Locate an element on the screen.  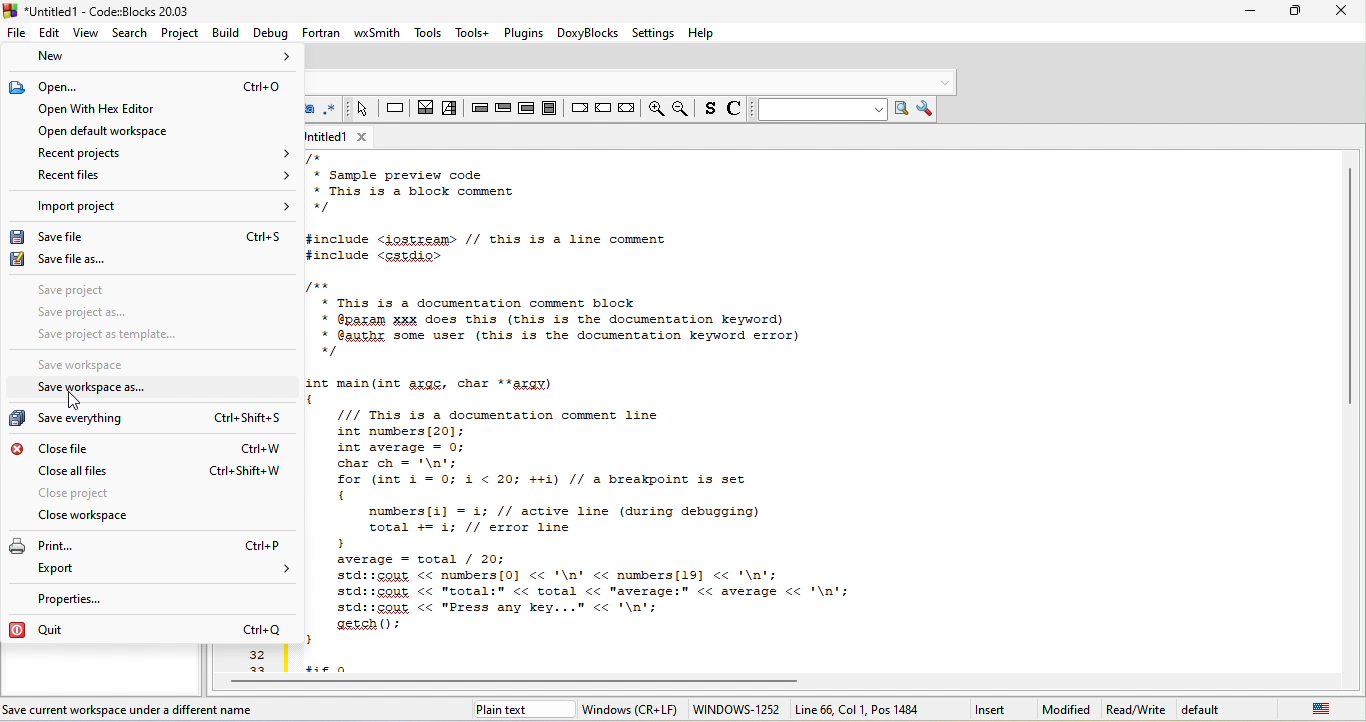
entry is located at coordinates (480, 111).